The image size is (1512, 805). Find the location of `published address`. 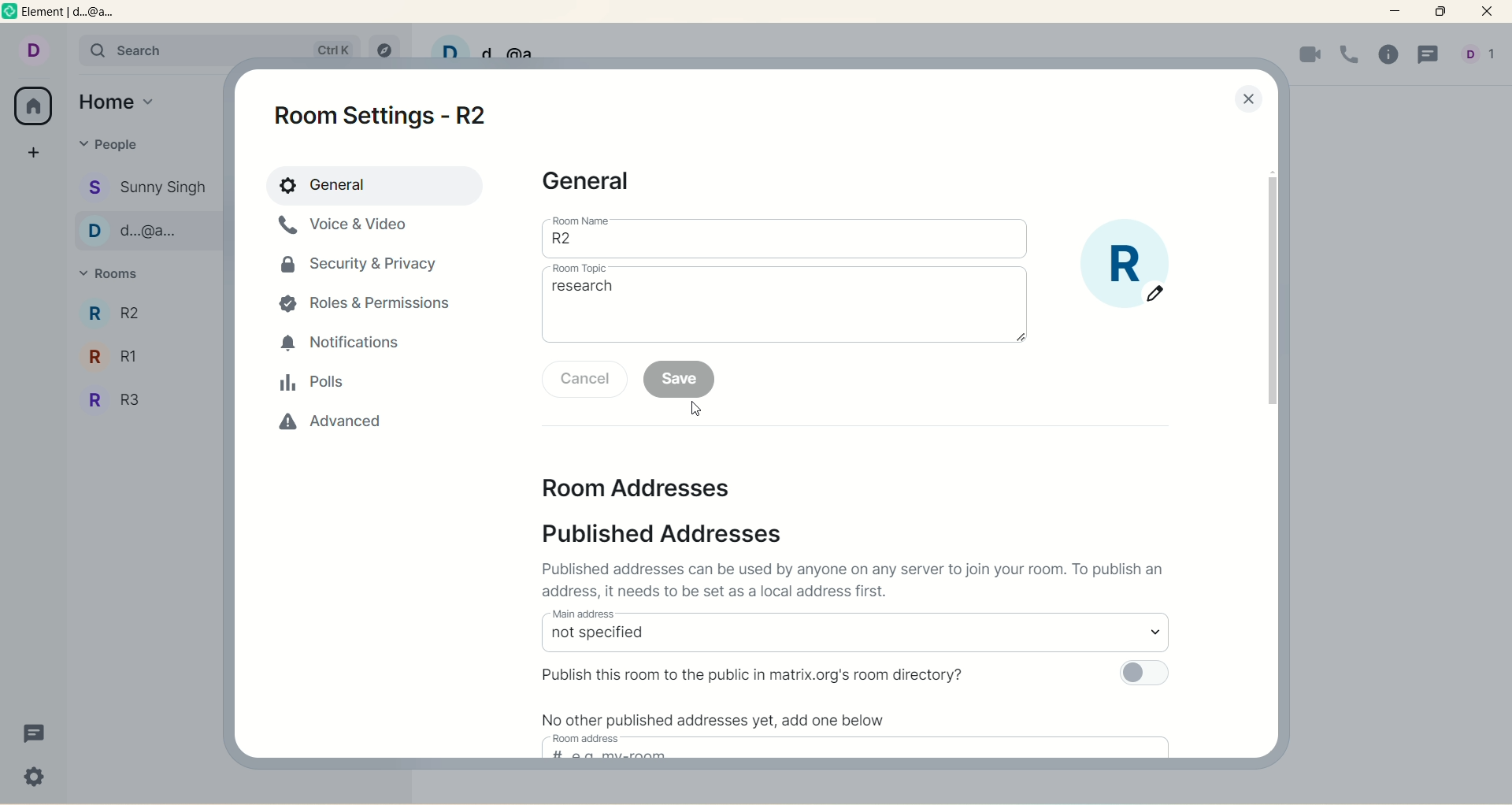

published address is located at coordinates (676, 533).